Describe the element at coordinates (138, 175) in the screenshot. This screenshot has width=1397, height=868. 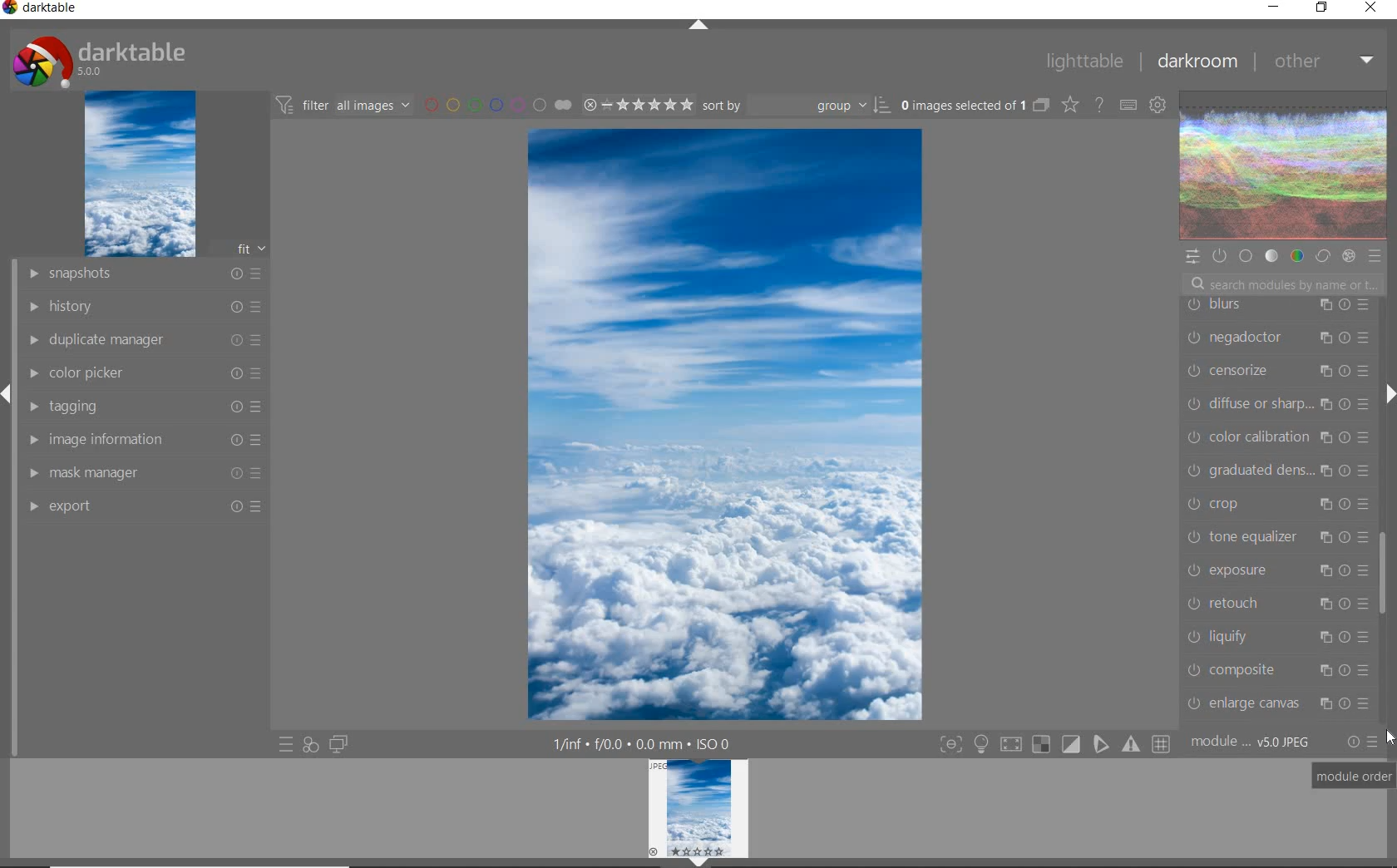
I see `IMAGE` at that location.